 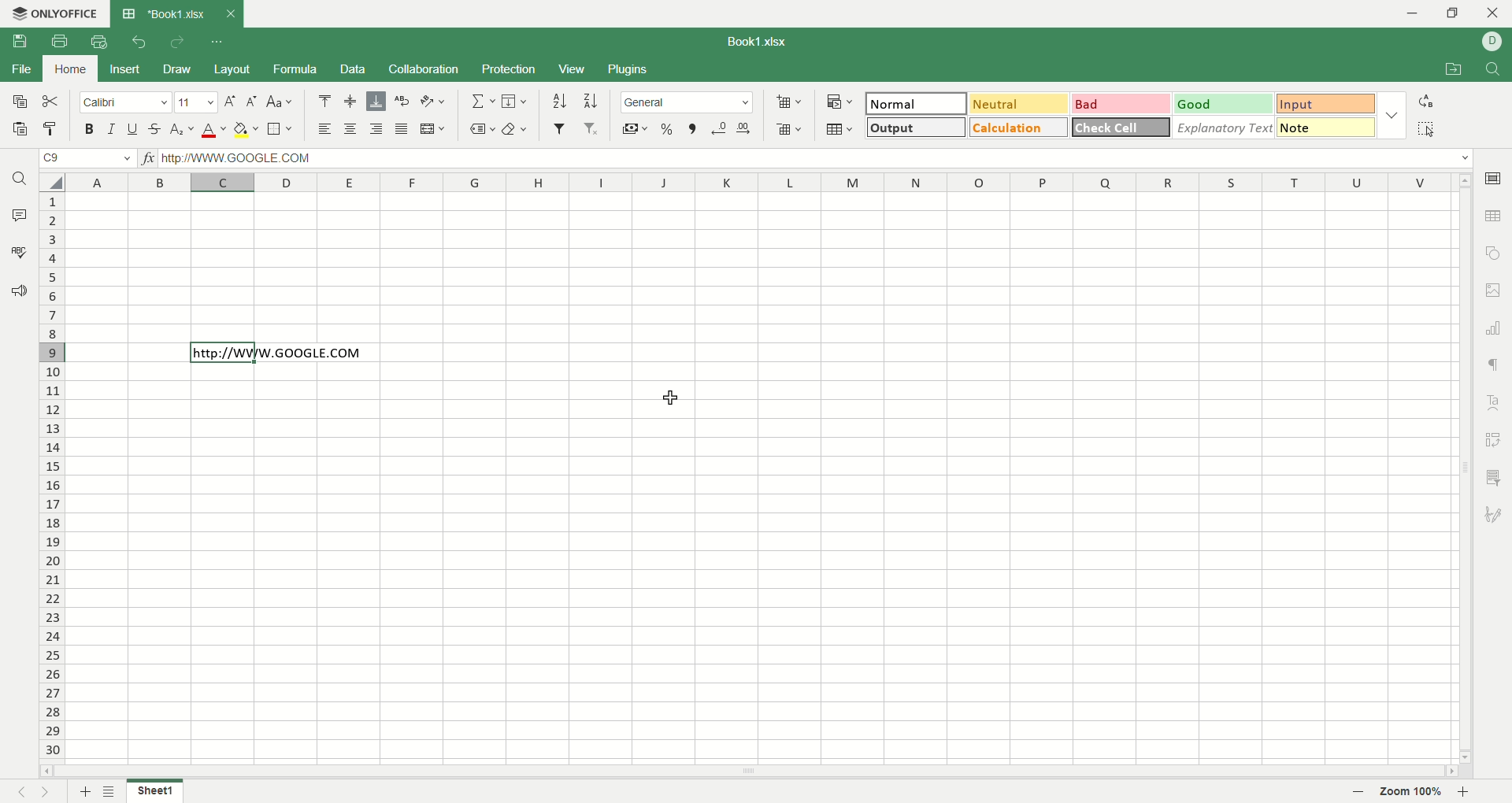 What do you see at coordinates (57, 14) in the screenshot?
I see `onlyoffice` at bounding box center [57, 14].